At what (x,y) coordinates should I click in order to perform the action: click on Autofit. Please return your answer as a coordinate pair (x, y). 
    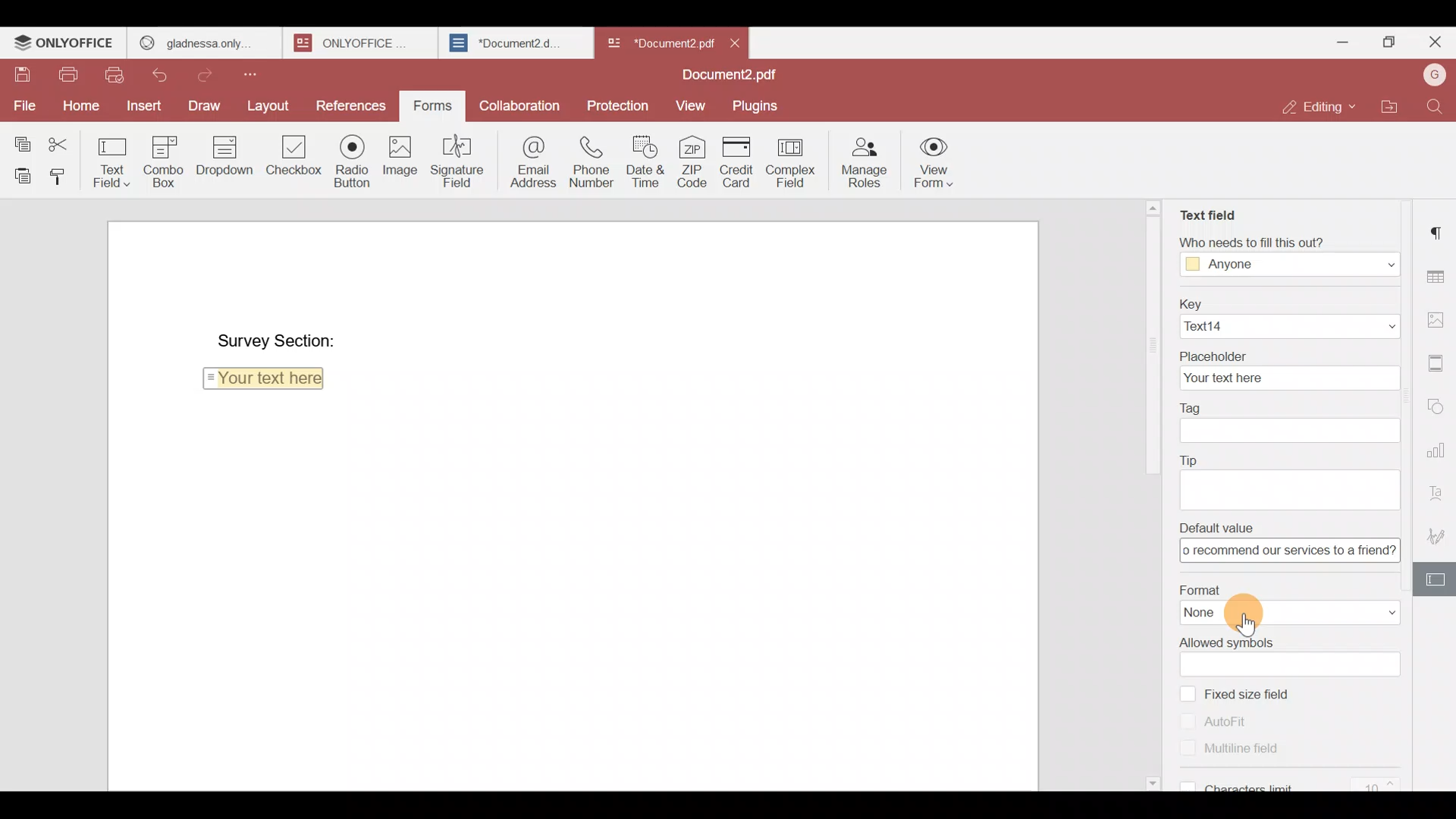
    Looking at the image, I should click on (1215, 721).